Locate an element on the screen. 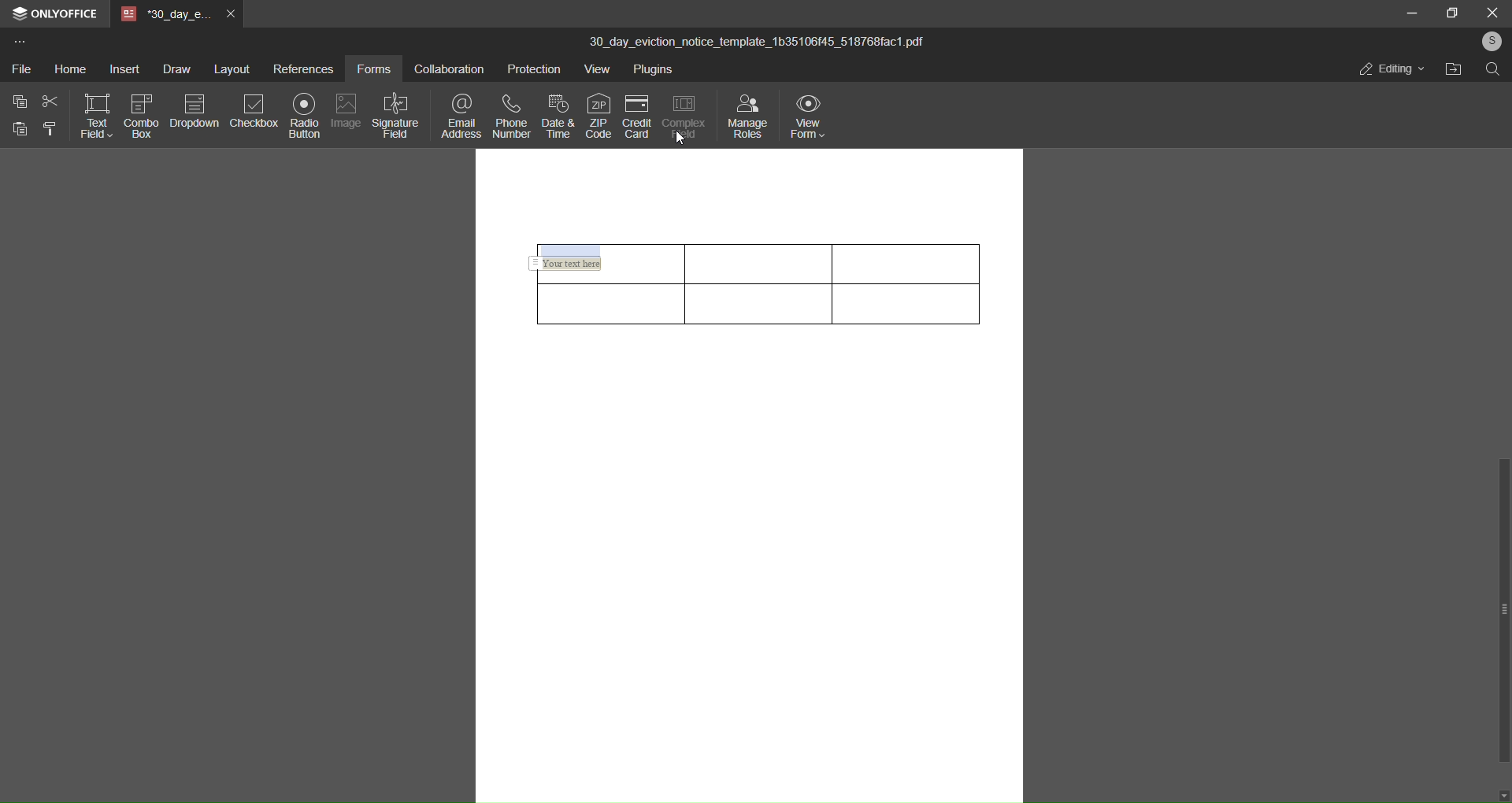  onlyoffice is located at coordinates (64, 15).